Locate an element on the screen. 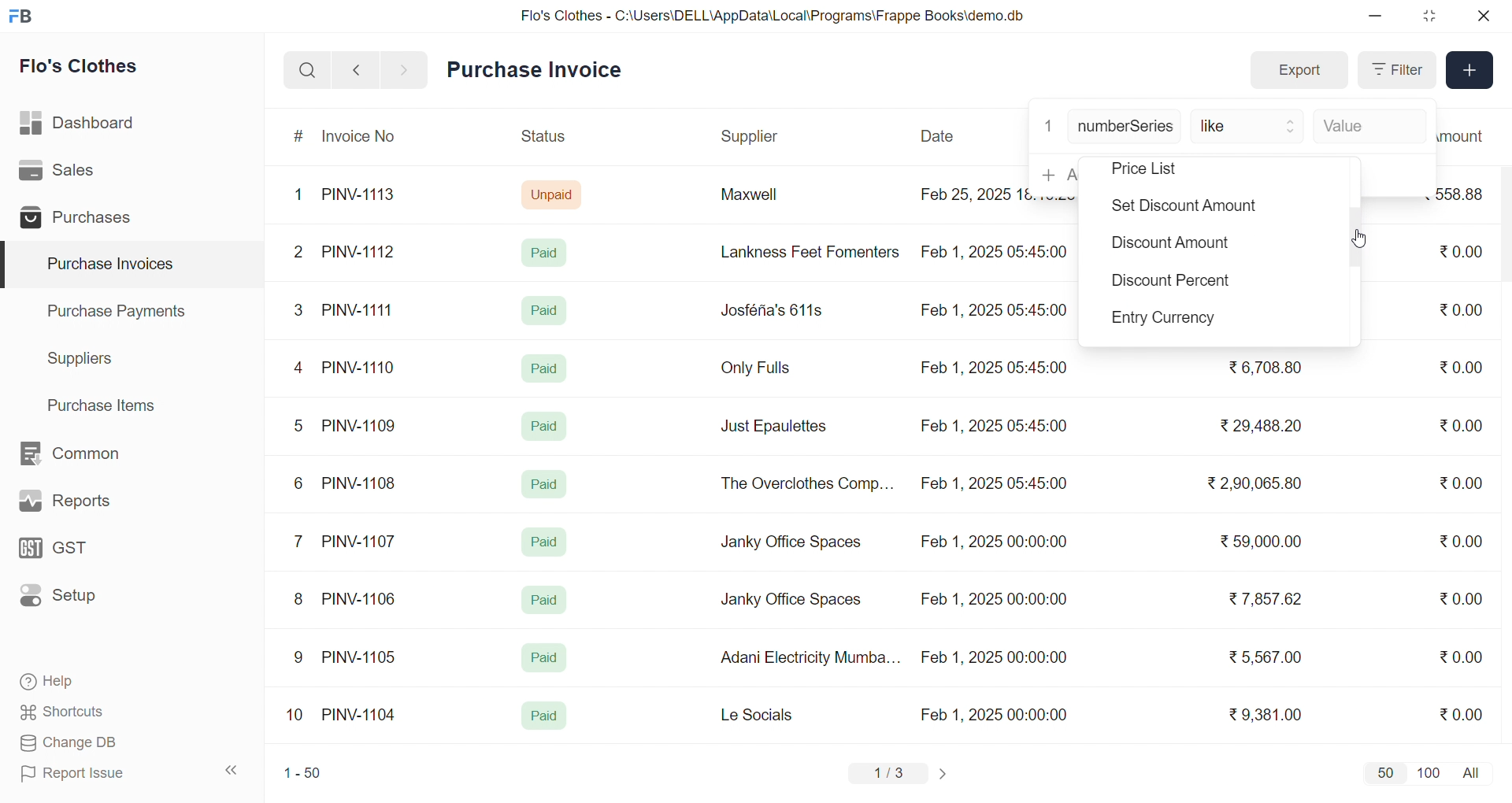 This screenshot has height=803, width=1512. Adani Electricity Mumba... is located at coordinates (812, 658).